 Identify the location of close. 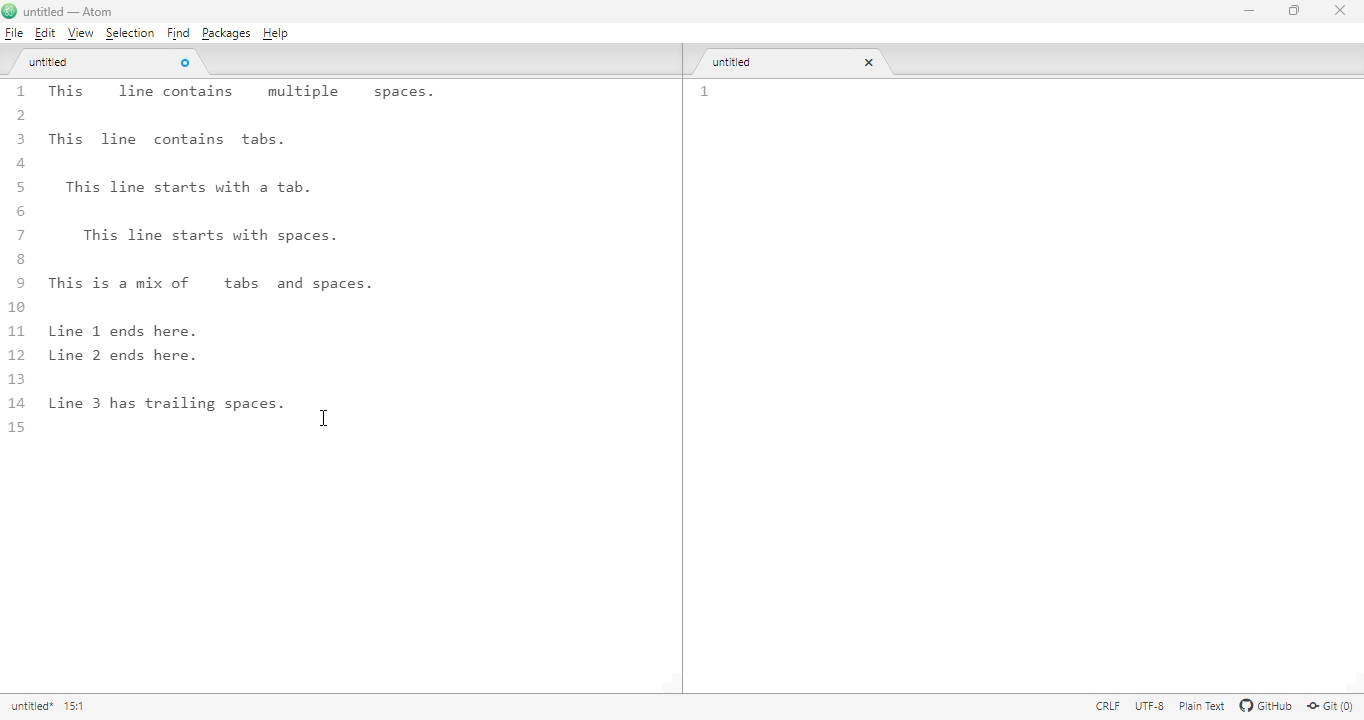
(1340, 9).